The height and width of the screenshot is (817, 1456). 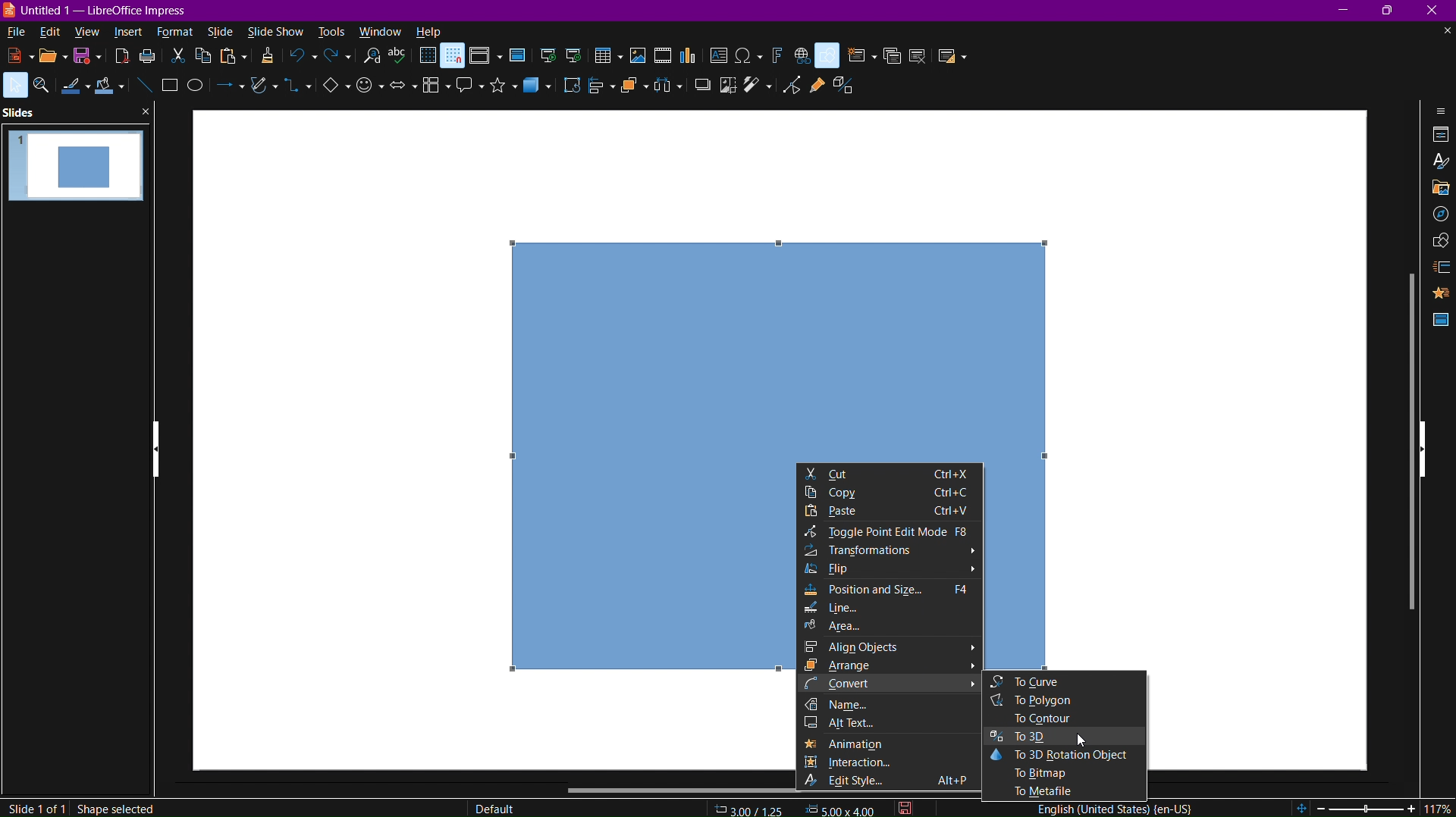 What do you see at coordinates (888, 684) in the screenshot?
I see `Convert` at bounding box center [888, 684].